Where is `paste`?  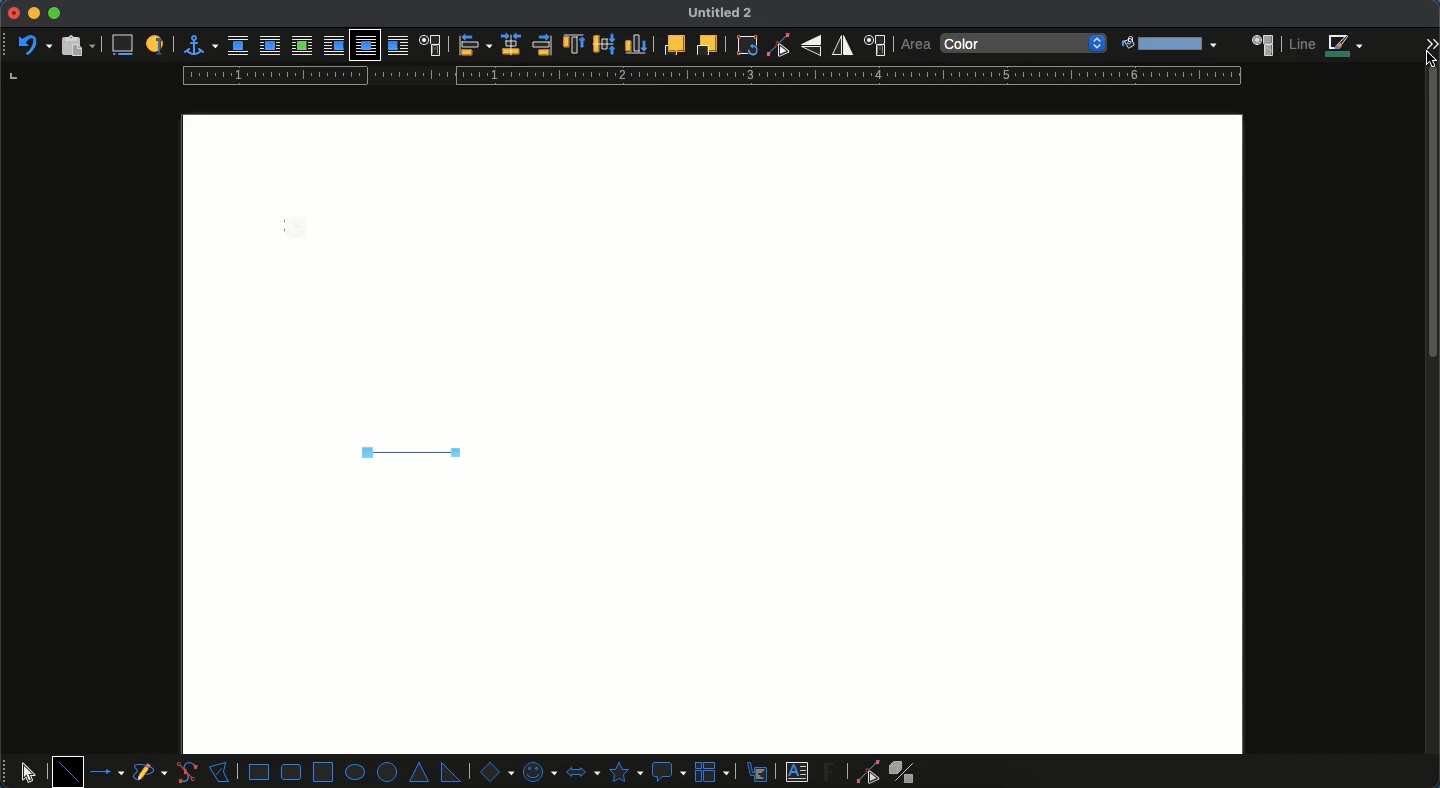 paste is located at coordinates (76, 45).